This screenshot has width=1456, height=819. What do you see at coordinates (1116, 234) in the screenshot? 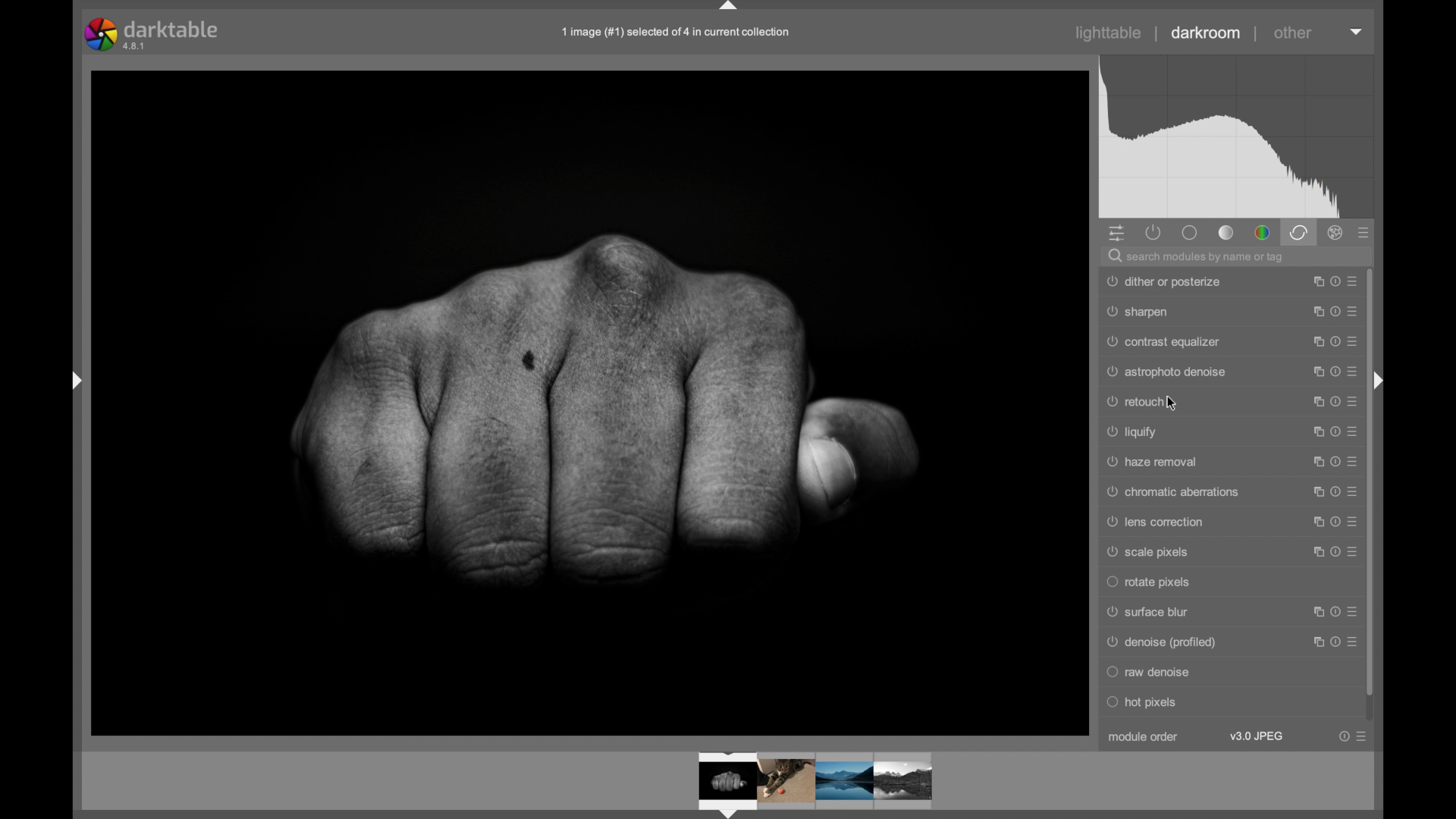
I see `show quick panel` at bounding box center [1116, 234].